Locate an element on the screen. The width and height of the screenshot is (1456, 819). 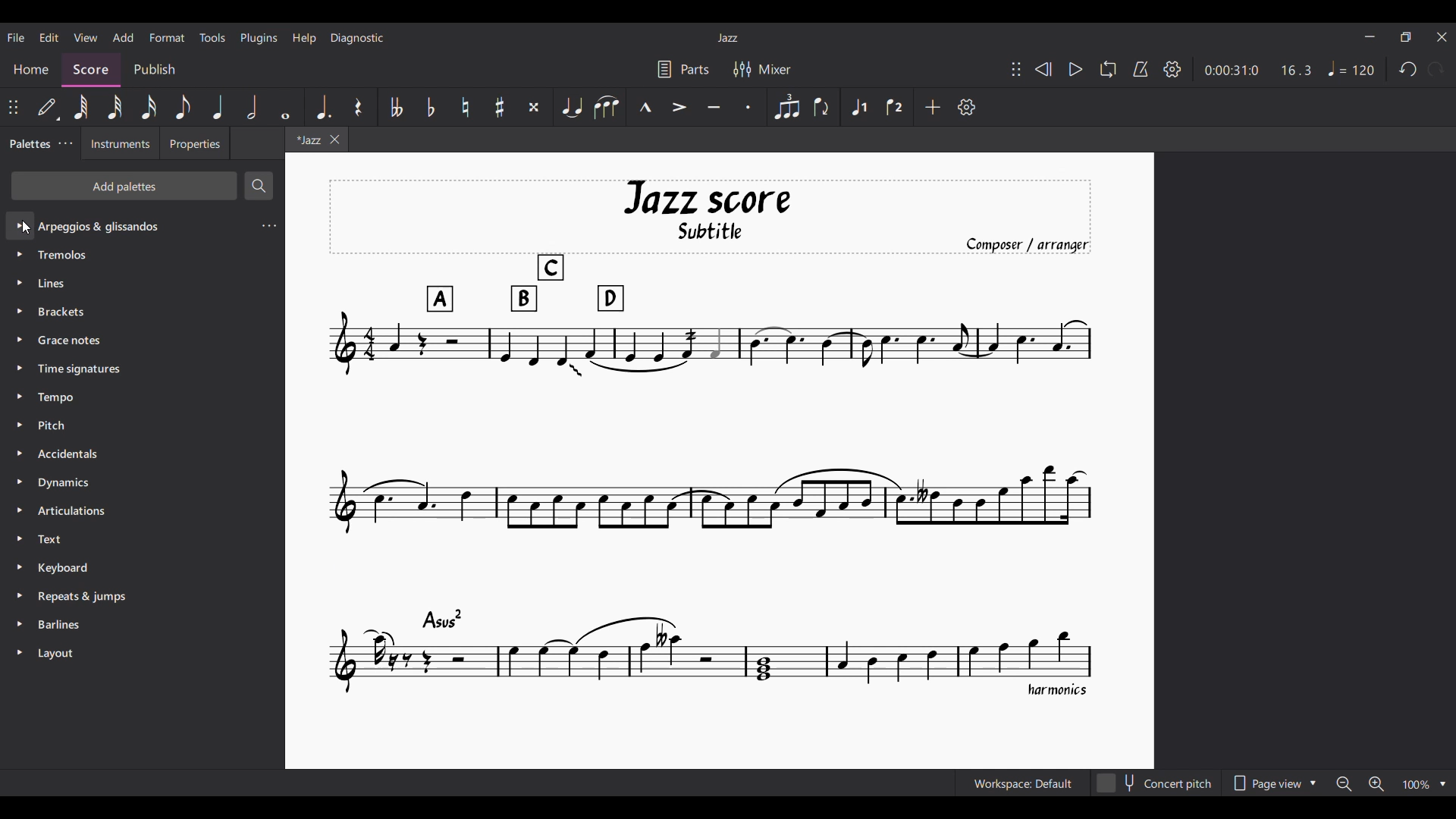
8th note is located at coordinates (183, 107).